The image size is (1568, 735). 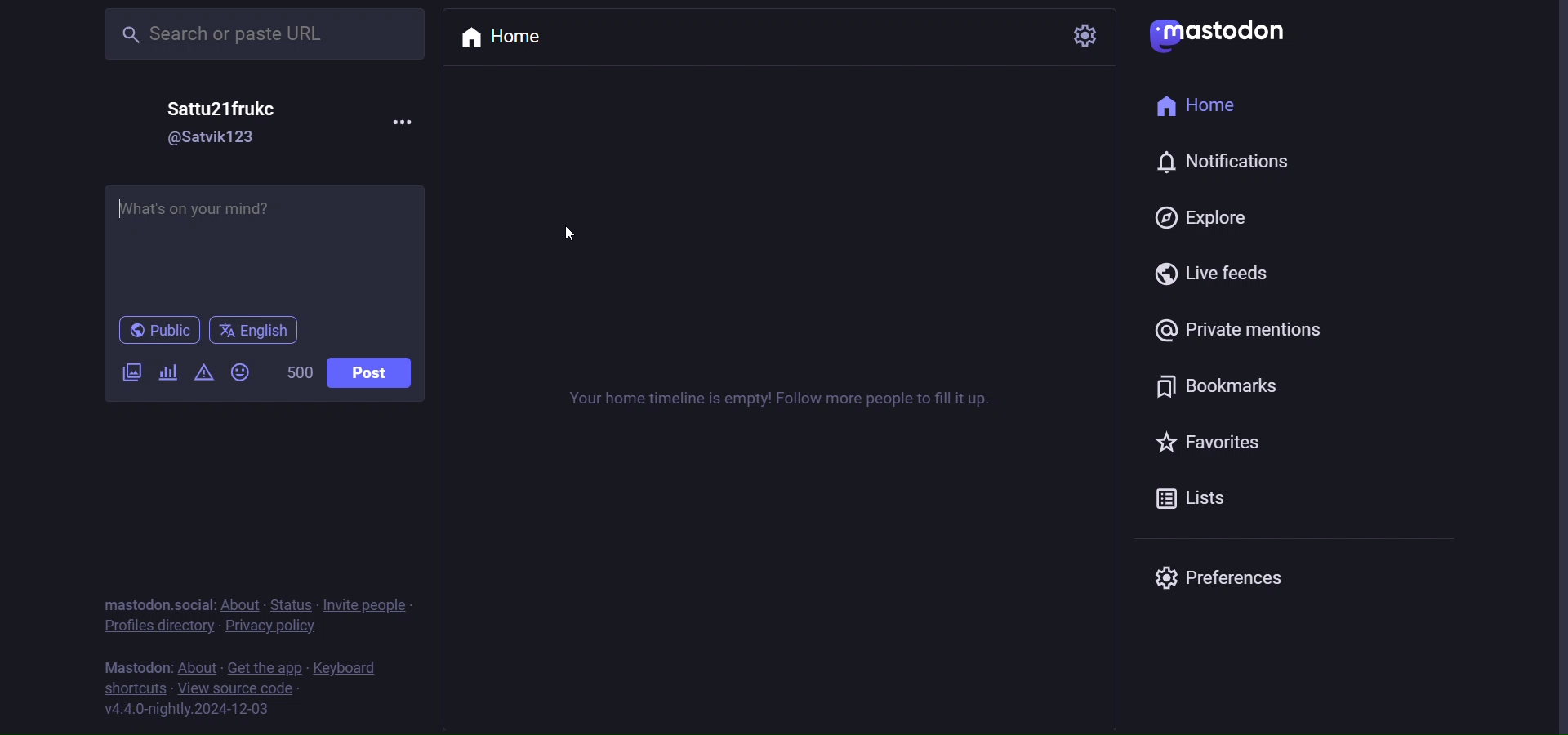 What do you see at coordinates (269, 34) in the screenshot?
I see `search` at bounding box center [269, 34].